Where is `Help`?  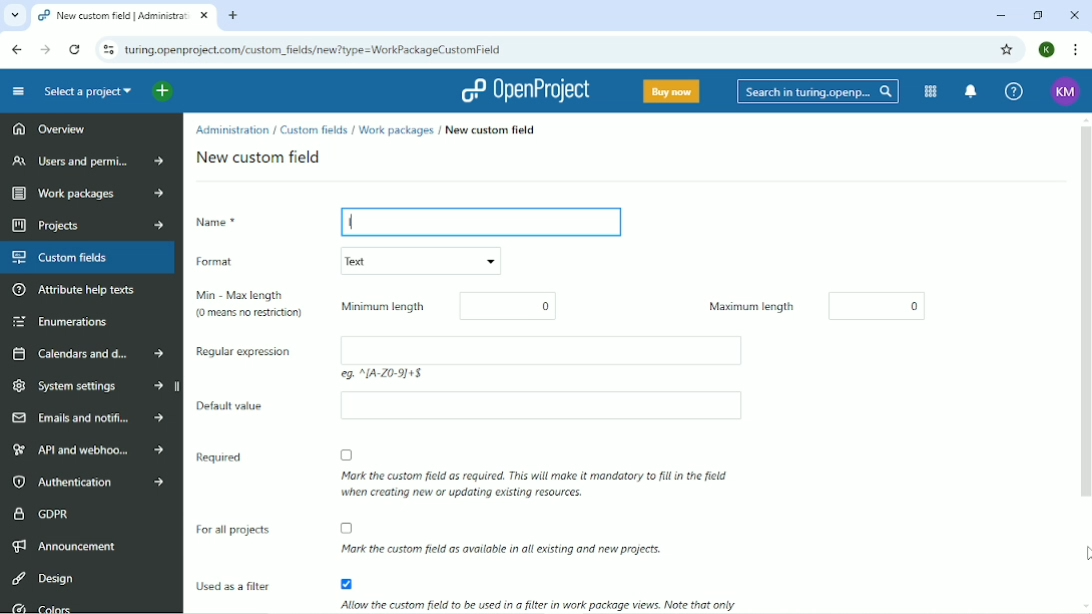
Help is located at coordinates (1013, 92).